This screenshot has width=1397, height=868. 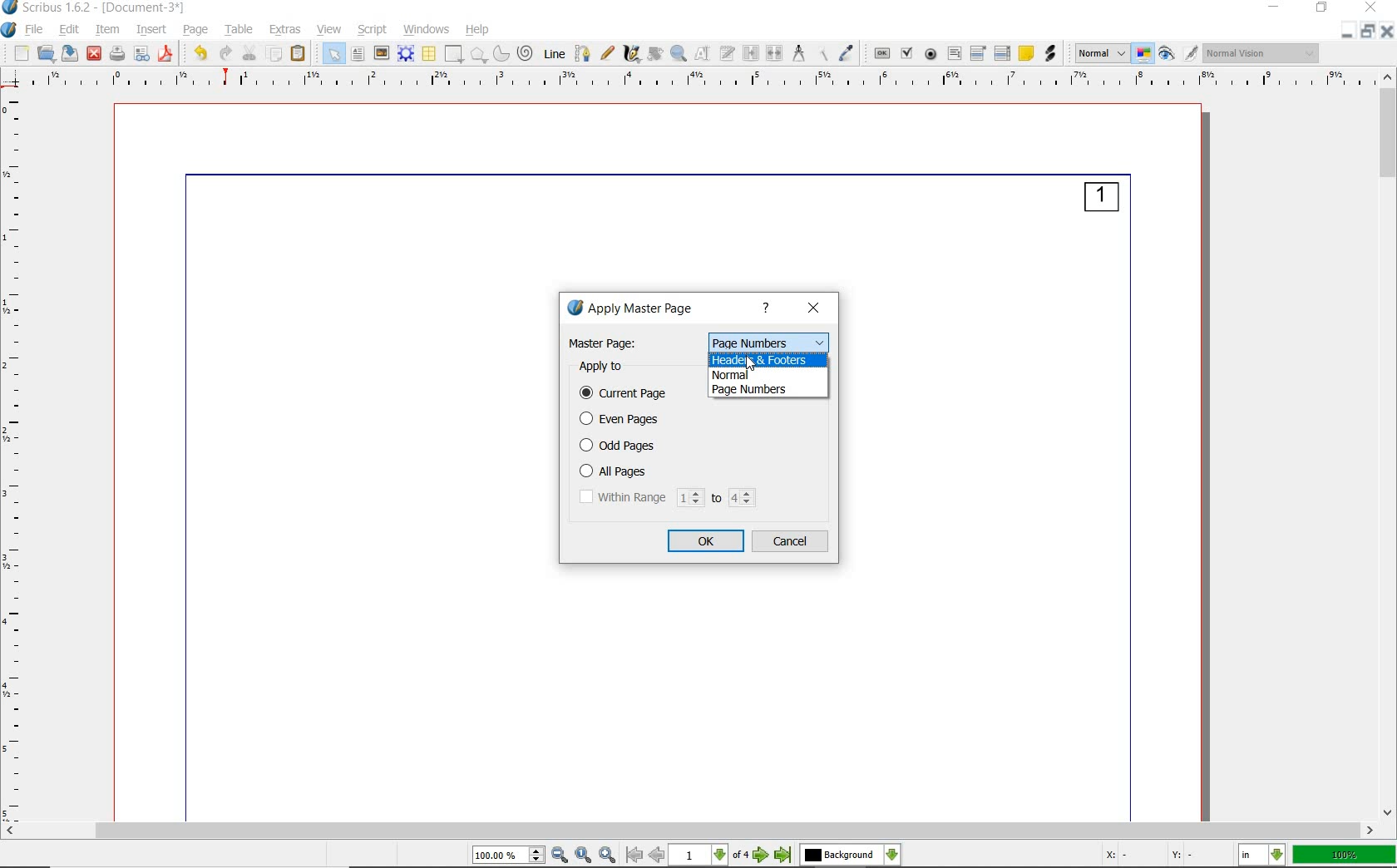 What do you see at coordinates (407, 53) in the screenshot?
I see `render frame` at bounding box center [407, 53].